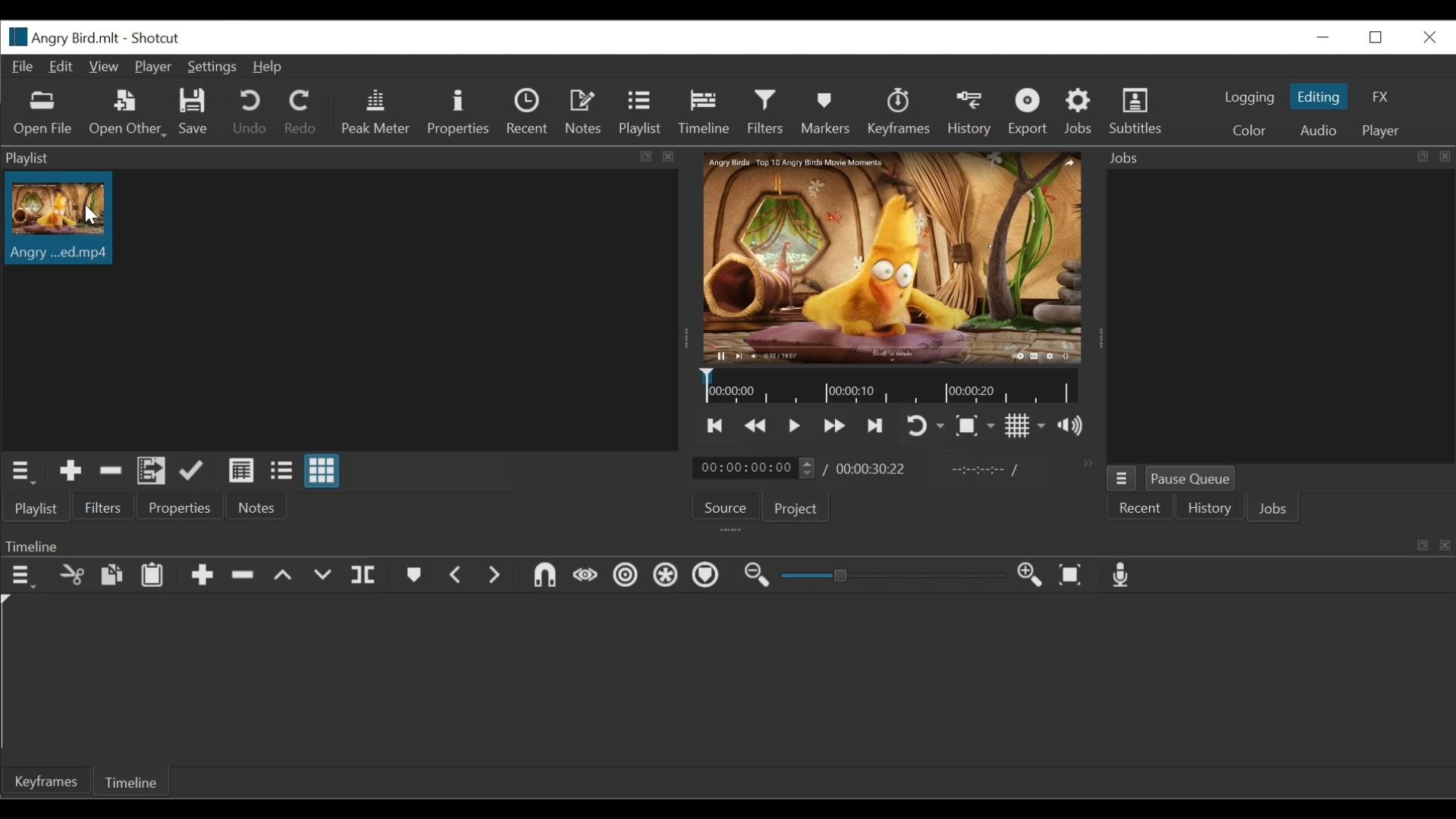 The width and height of the screenshot is (1456, 819). Describe the element at coordinates (765, 112) in the screenshot. I see `Filters` at that location.